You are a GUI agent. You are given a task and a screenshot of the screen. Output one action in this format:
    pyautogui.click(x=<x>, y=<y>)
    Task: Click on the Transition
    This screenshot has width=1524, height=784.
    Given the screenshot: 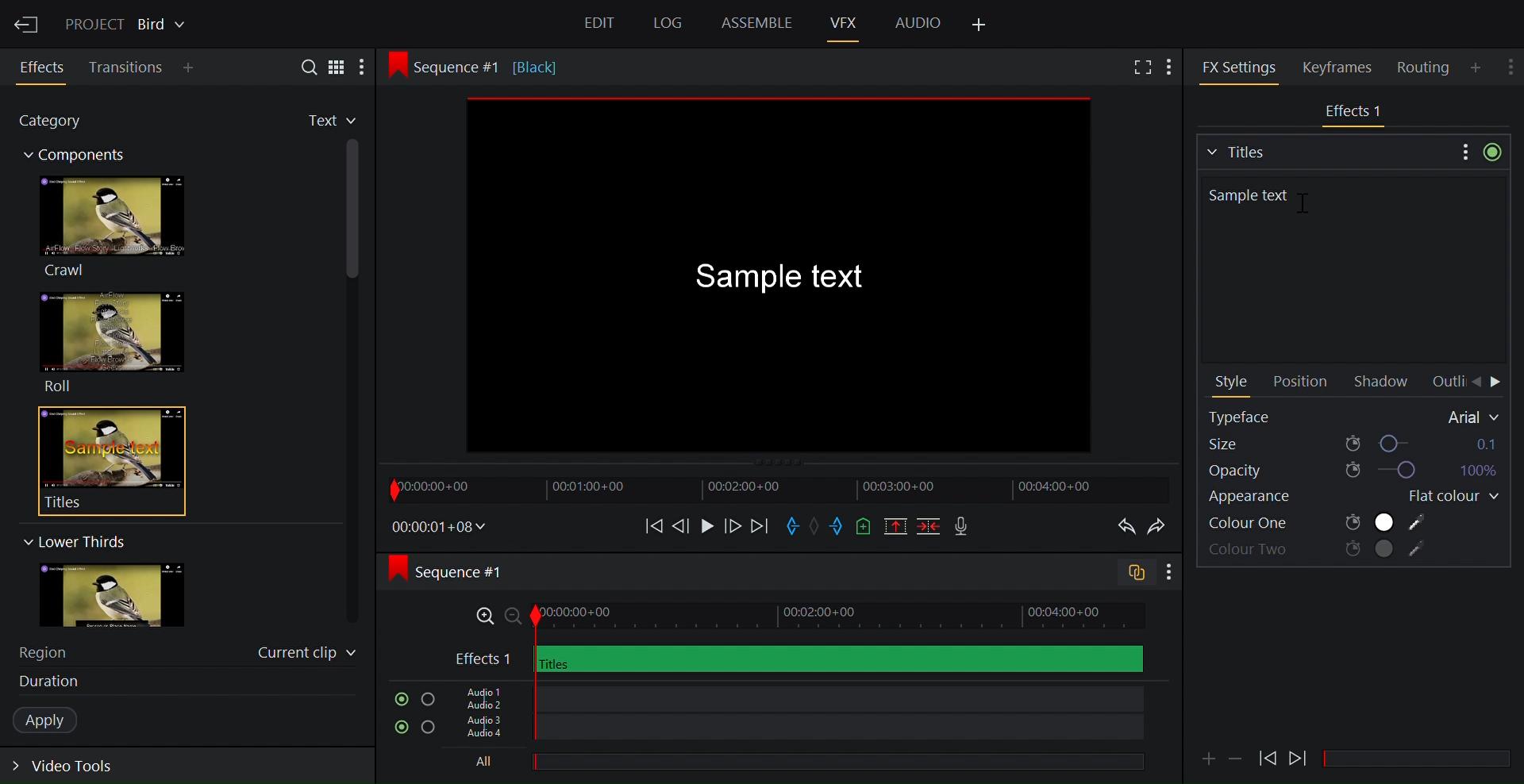 What is the action you would take?
    pyautogui.click(x=127, y=67)
    